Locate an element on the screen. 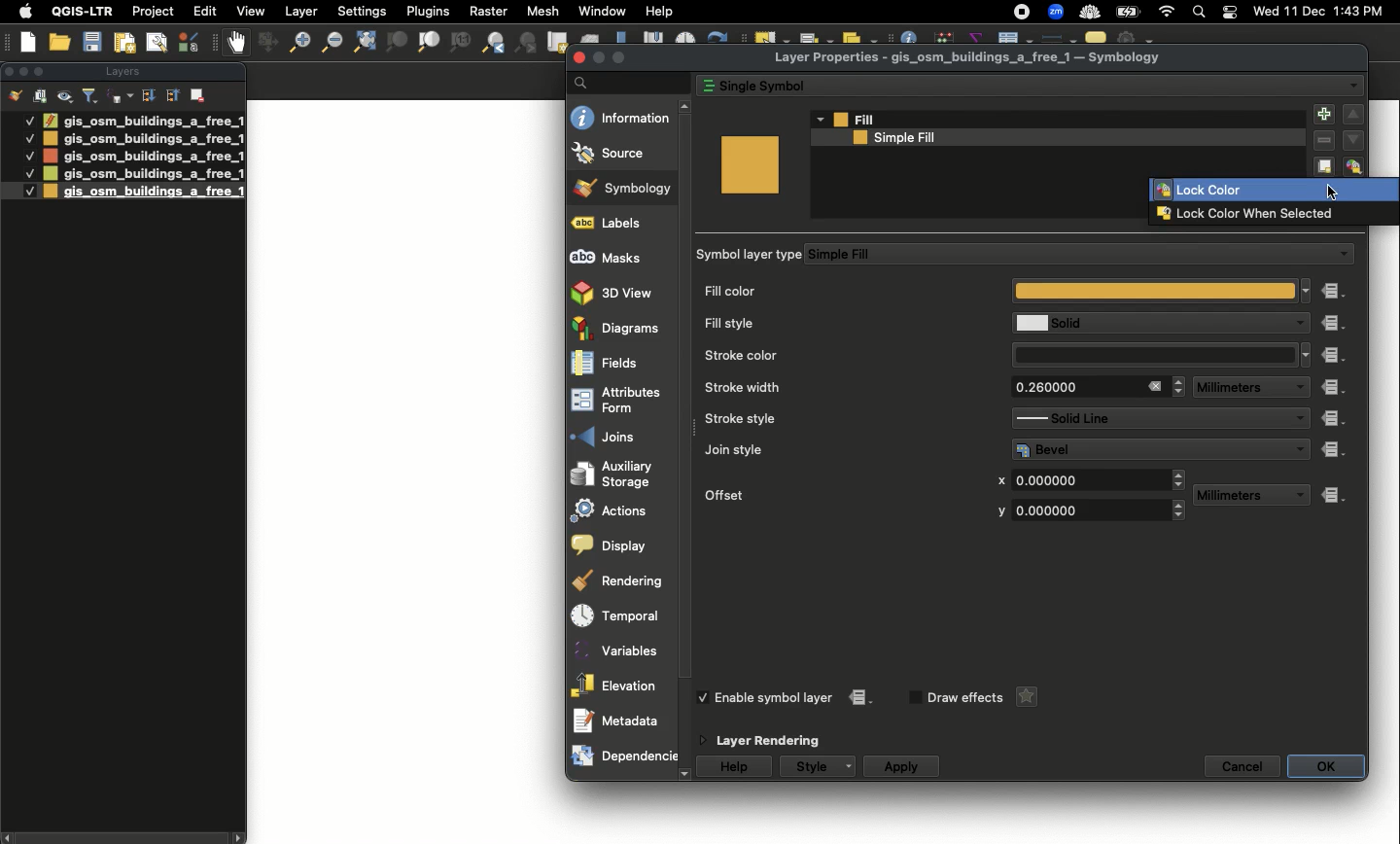 This screenshot has width=1400, height=844. Information is located at coordinates (621, 117).